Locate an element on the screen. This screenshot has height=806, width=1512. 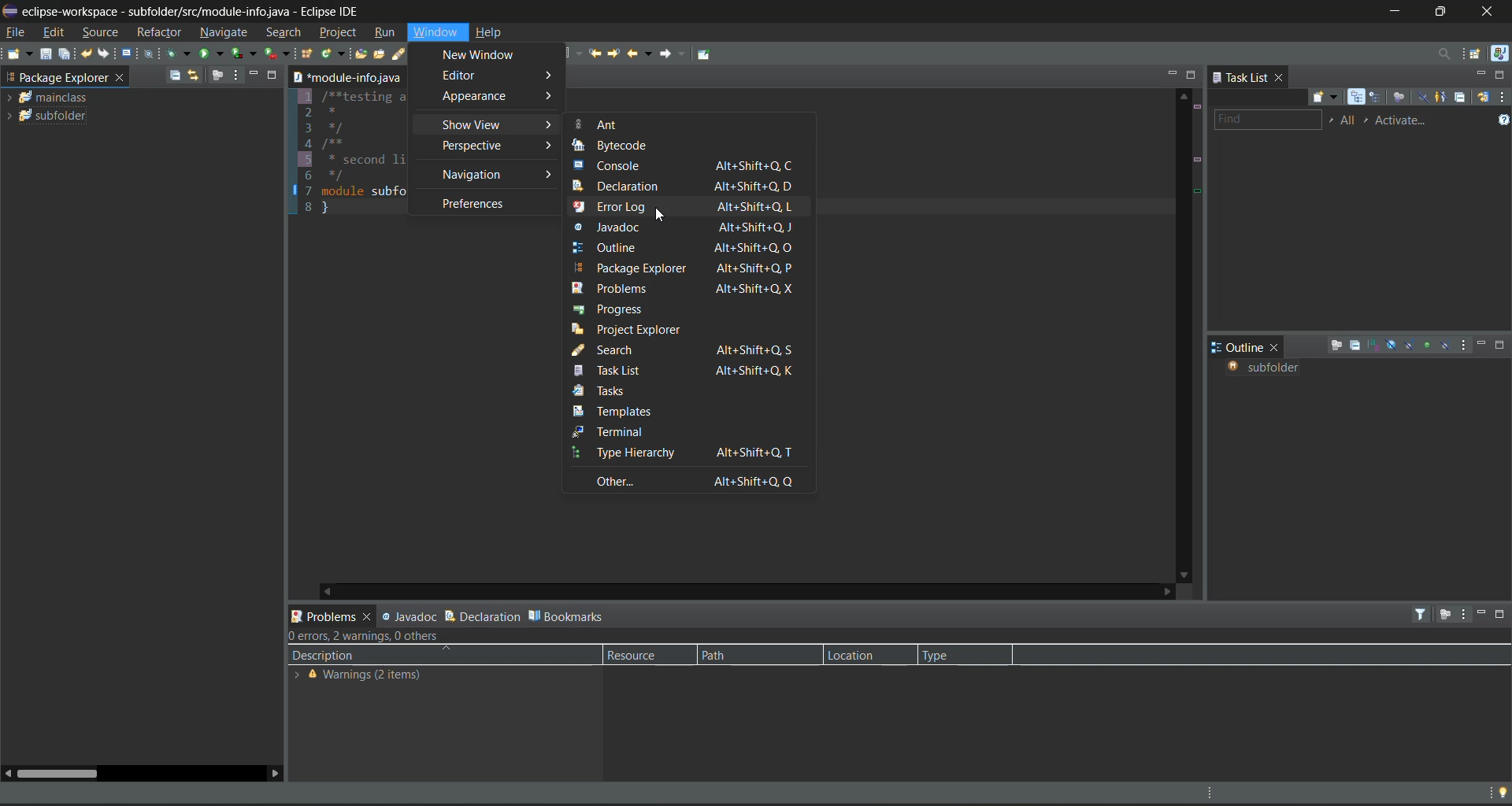
javadoc is located at coordinates (407, 616).